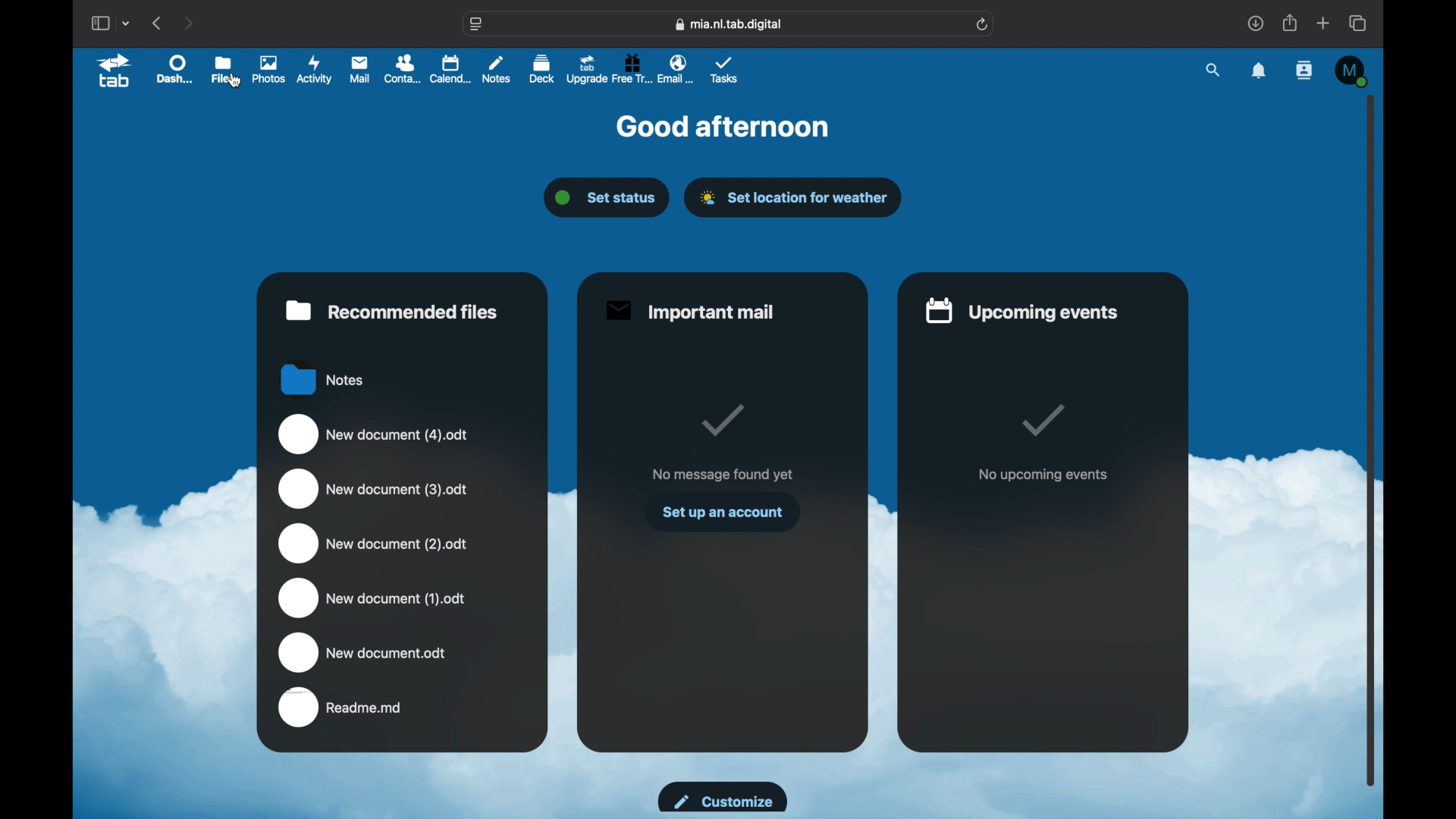 The image size is (1456, 819). Describe the element at coordinates (1043, 475) in the screenshot. I see `no upcoming events` at that location.